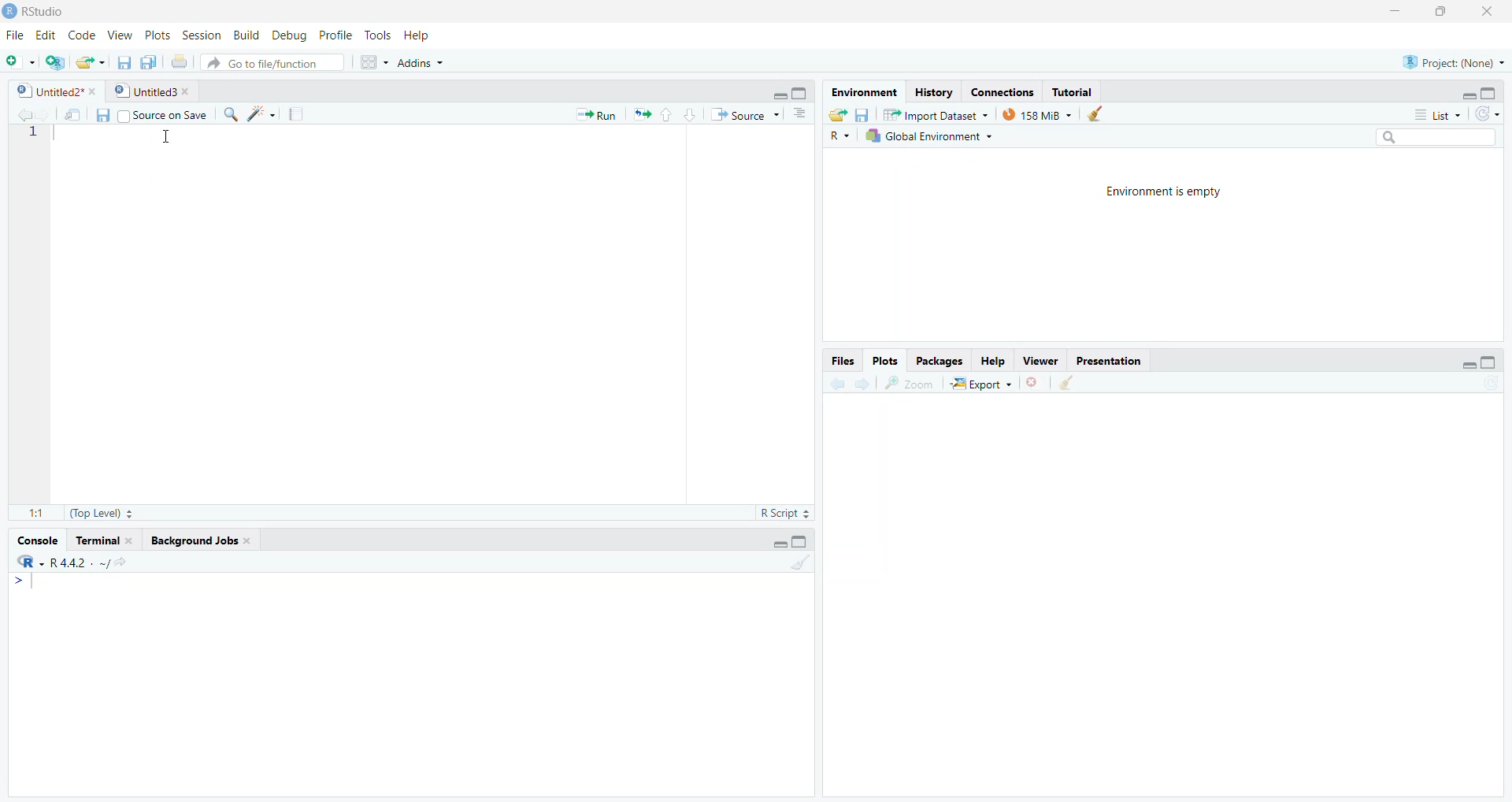  I want to click on Maximize, so click(1447, 16).